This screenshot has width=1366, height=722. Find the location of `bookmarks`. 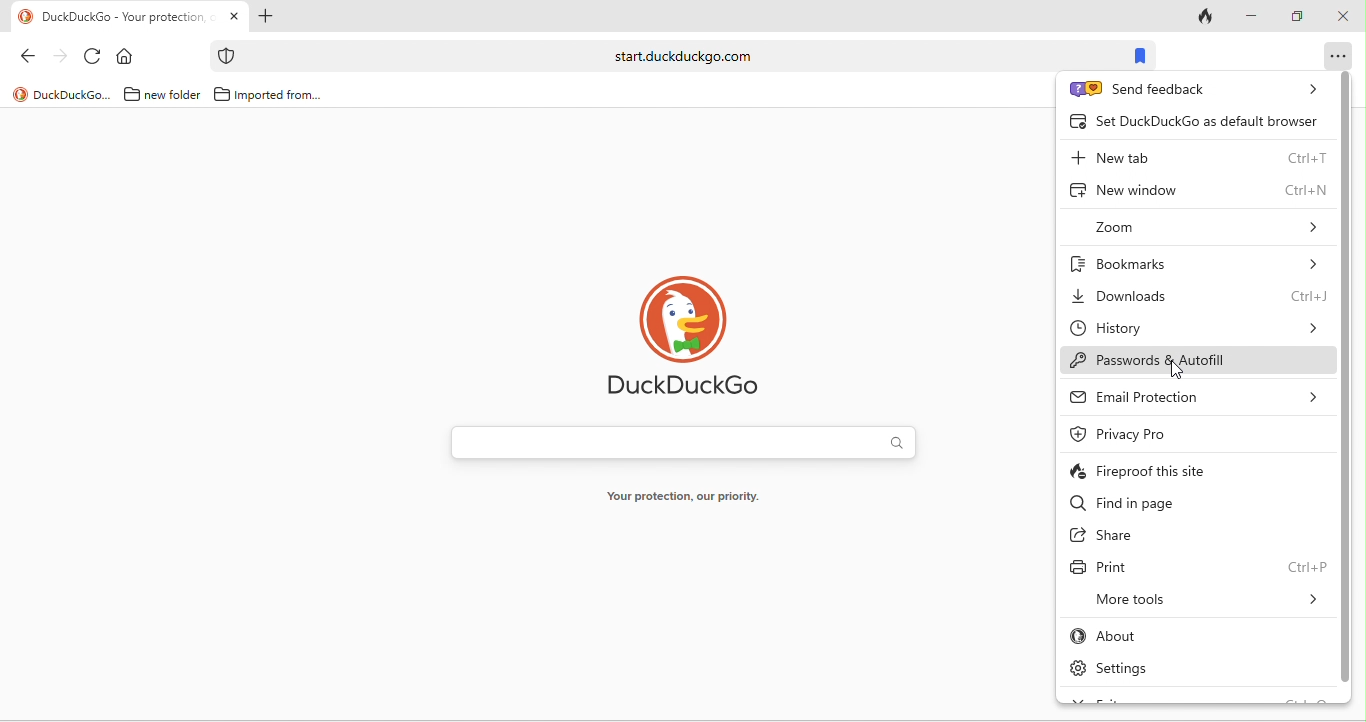

bookmarks is located at coordinates (1187, 267).